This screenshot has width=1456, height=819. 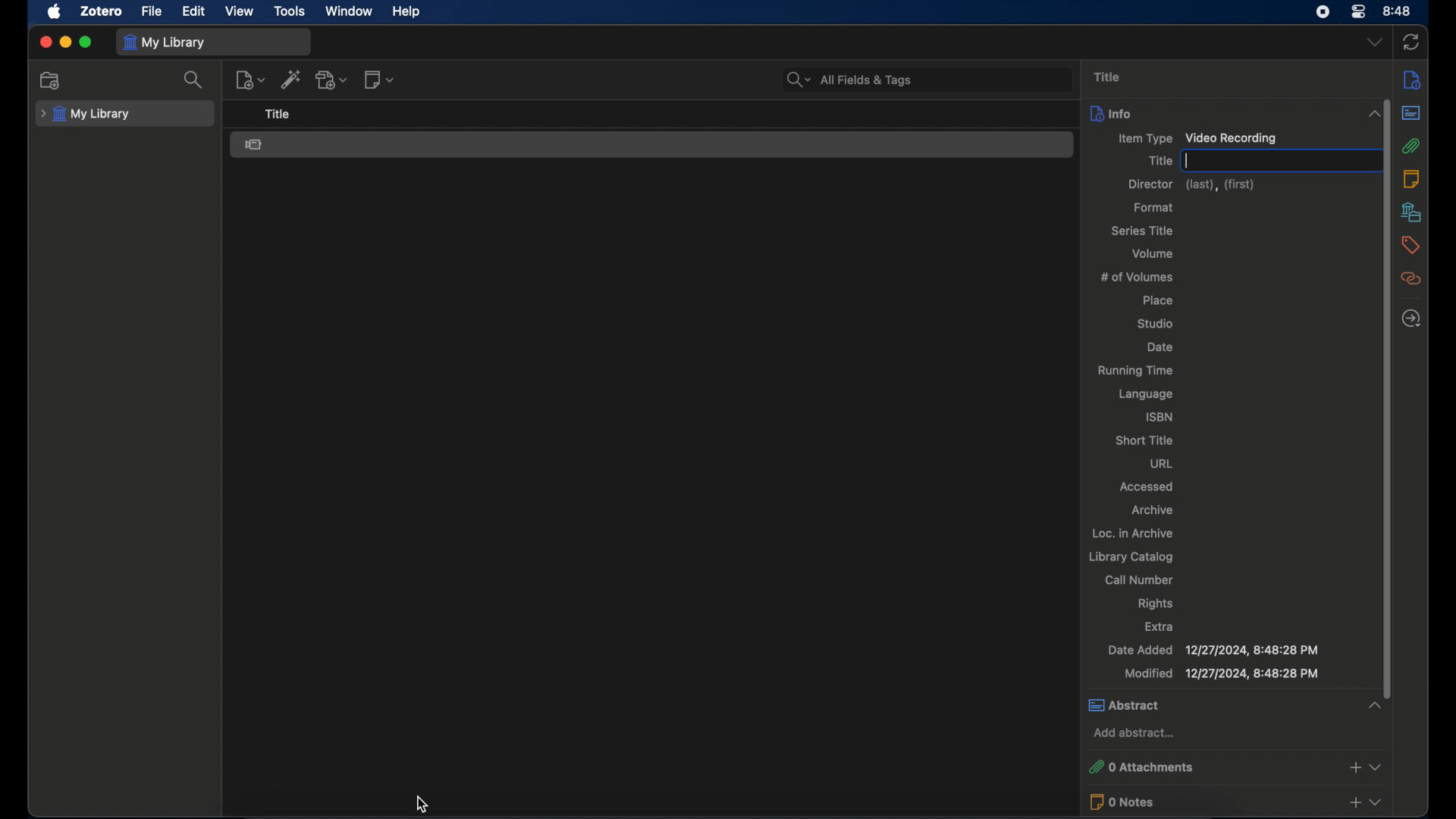 What do you see at coordinates (52, 81) in the screenshot?
I see `new collection` at bounding box center [52, 81].